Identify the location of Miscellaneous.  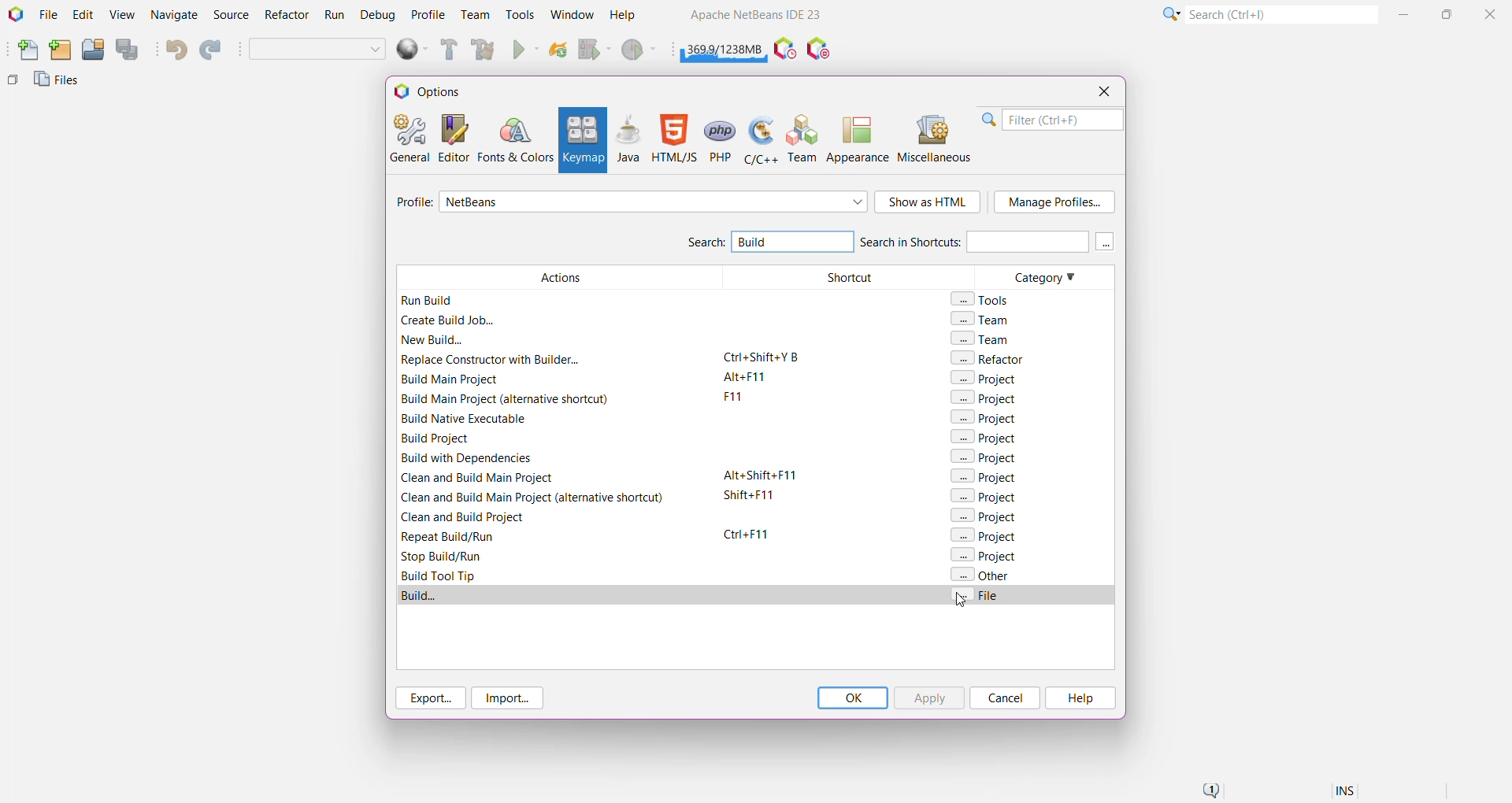
(936, 139).